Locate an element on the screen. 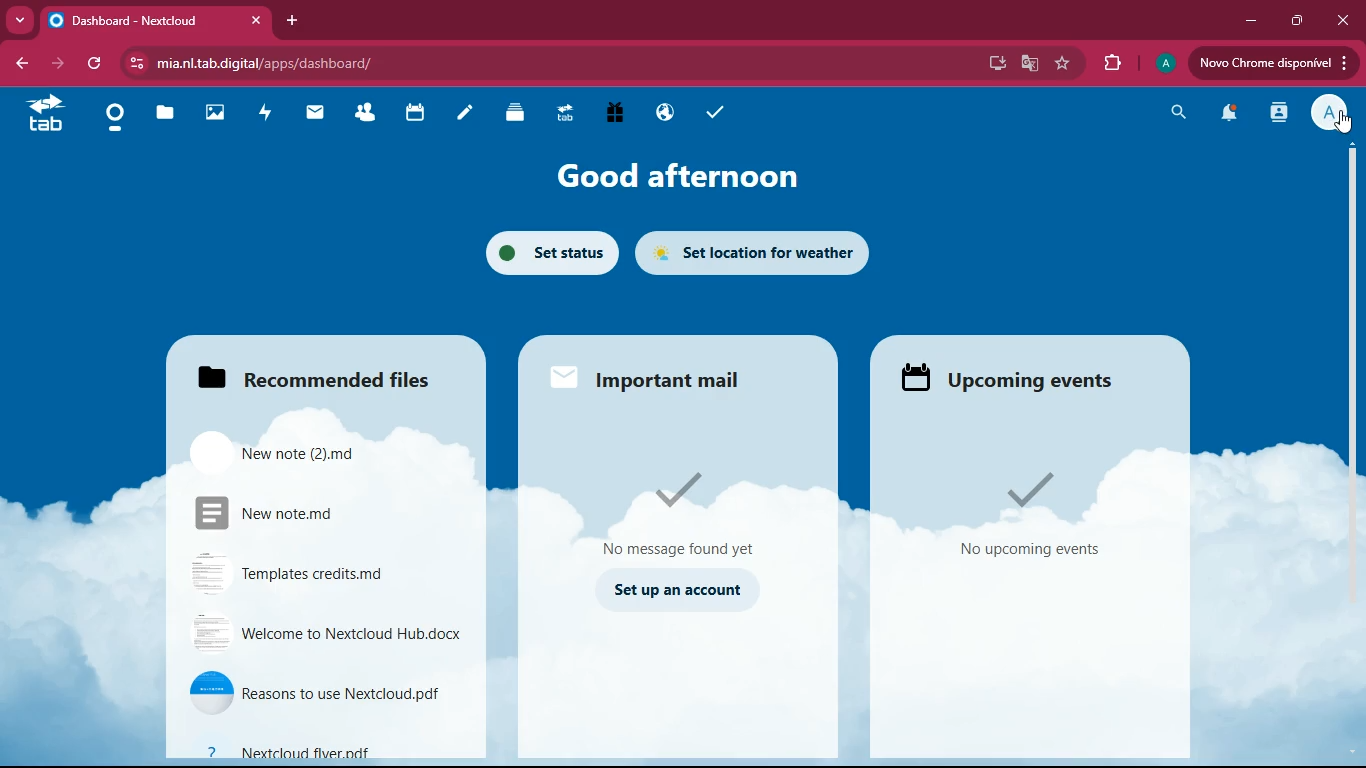 Image resolution: width=1366 pixels, height=768 pixels. tab is located at coordinates (563, 116).